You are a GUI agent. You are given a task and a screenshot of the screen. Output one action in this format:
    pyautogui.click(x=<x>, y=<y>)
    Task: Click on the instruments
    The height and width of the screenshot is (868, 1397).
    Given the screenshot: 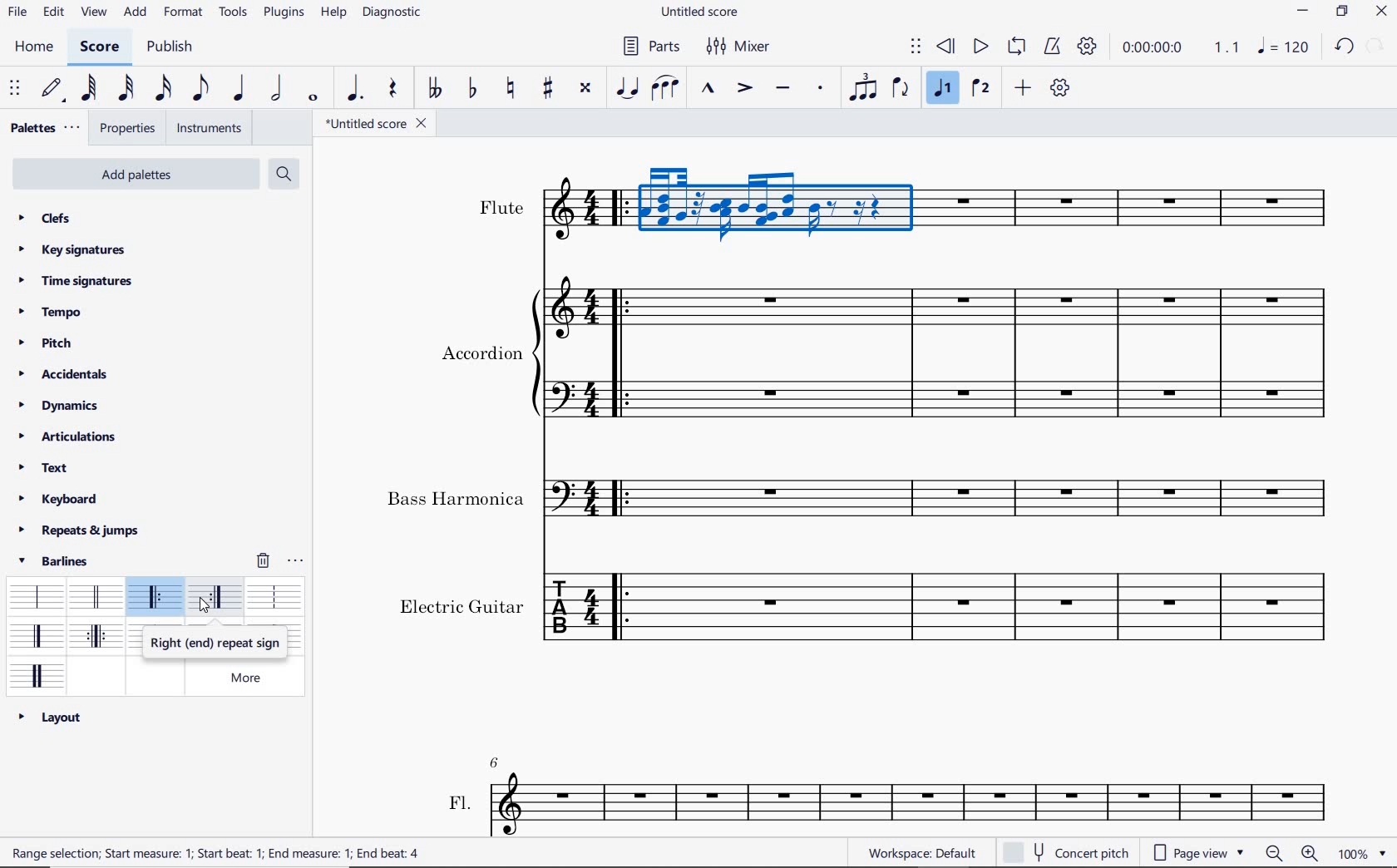 What is the action you would take?
    pyautogui.click(x=210, y=128)
    